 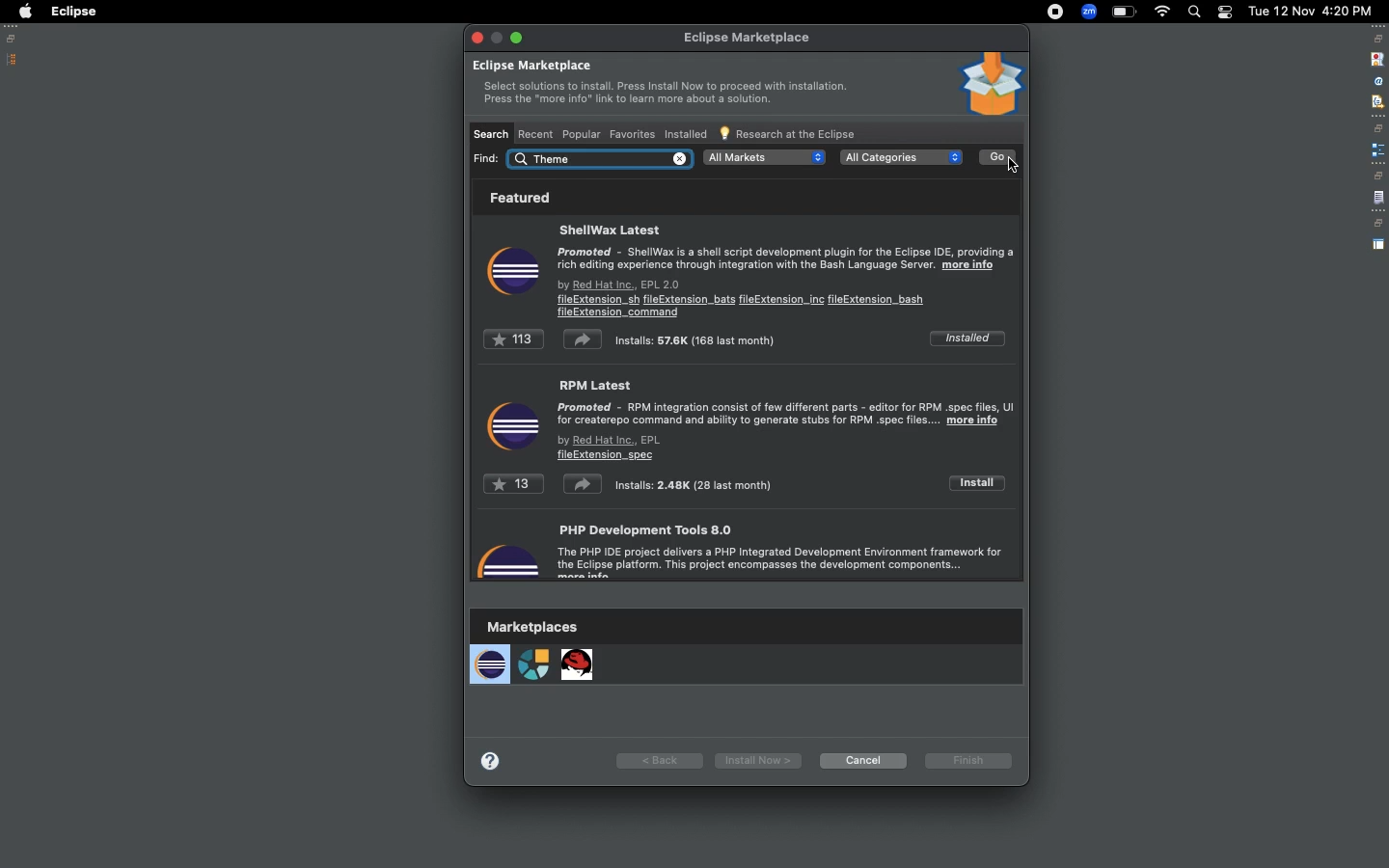 What do you see at coordinates (601, 158) in the screenshot?
I see `` at bounding box center [601, 158].